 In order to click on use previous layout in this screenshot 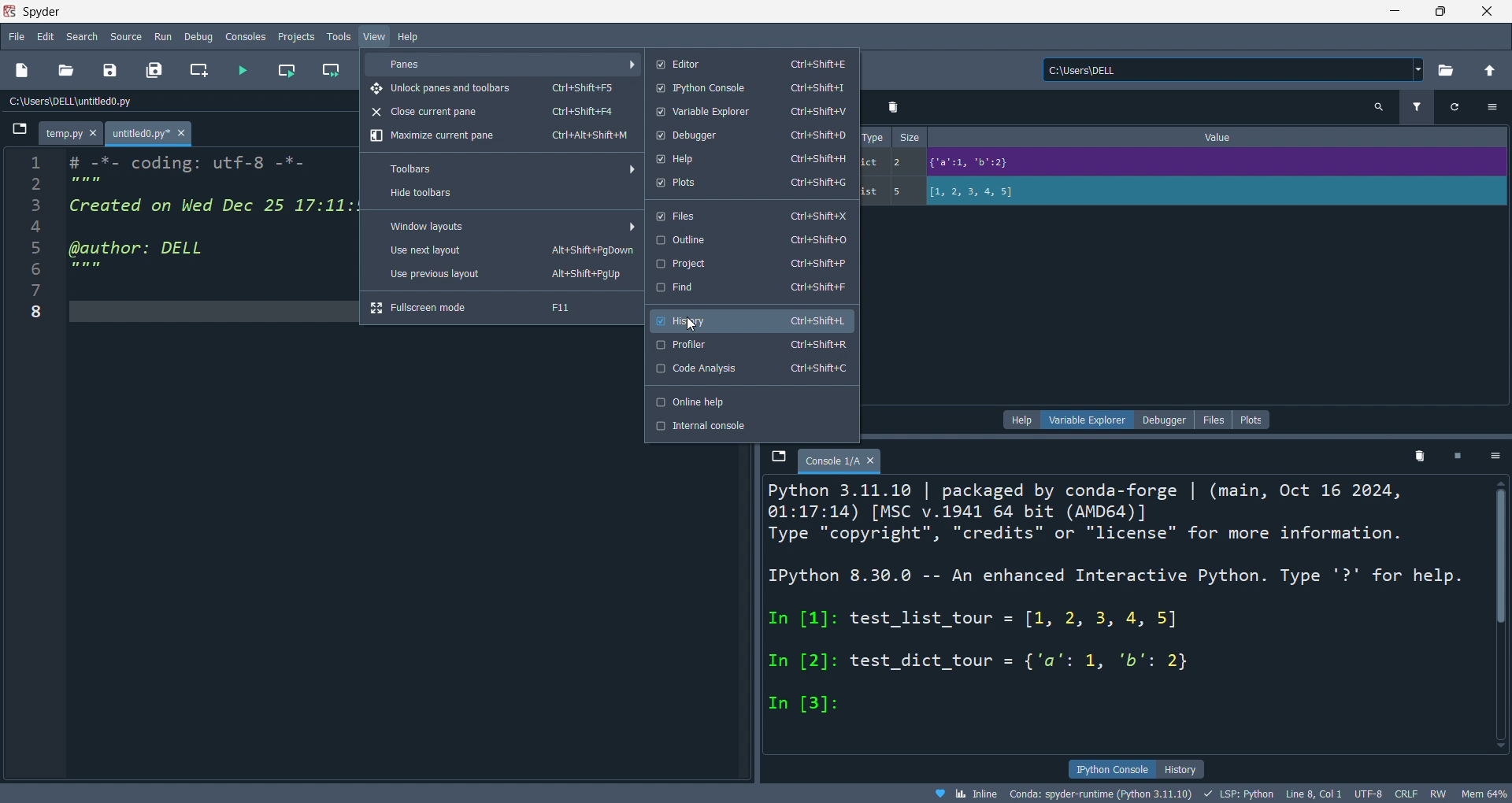, I will do `click(502, 276)`.